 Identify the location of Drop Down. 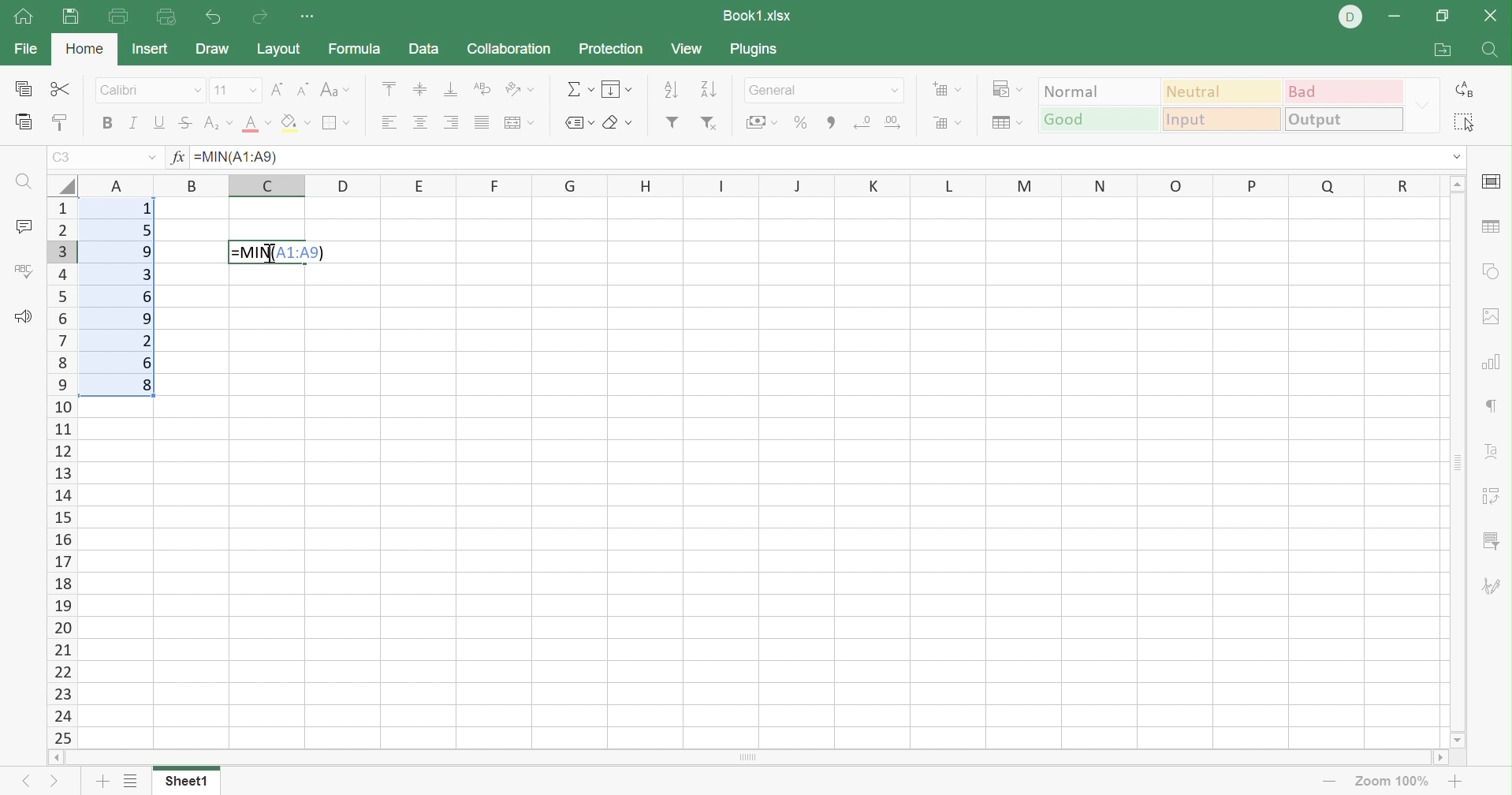
(196, 91).